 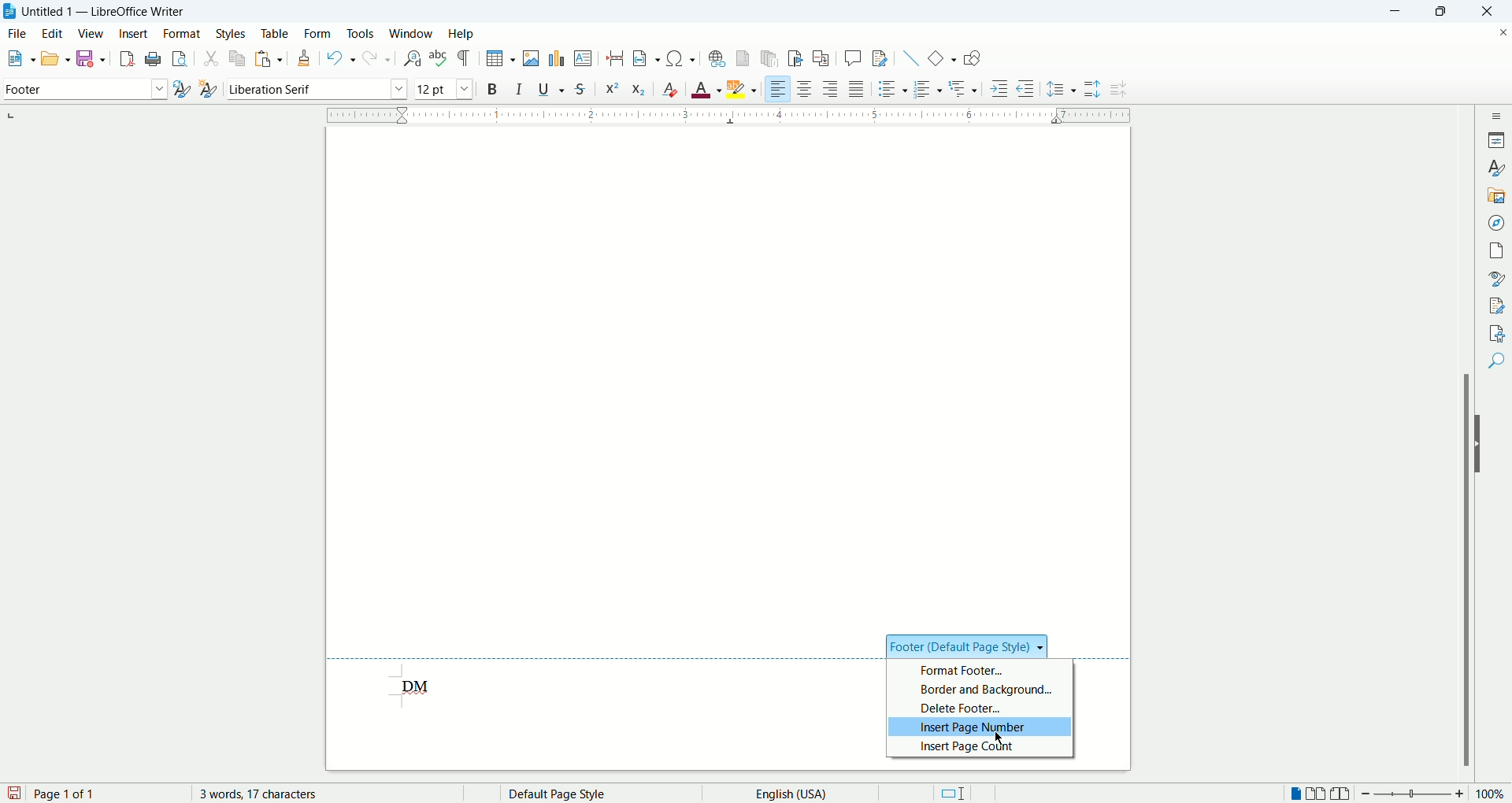 What do you see at coordinates (411, 58) in the screenshot?
I see `find and replace` at bounding box center [411, 58].